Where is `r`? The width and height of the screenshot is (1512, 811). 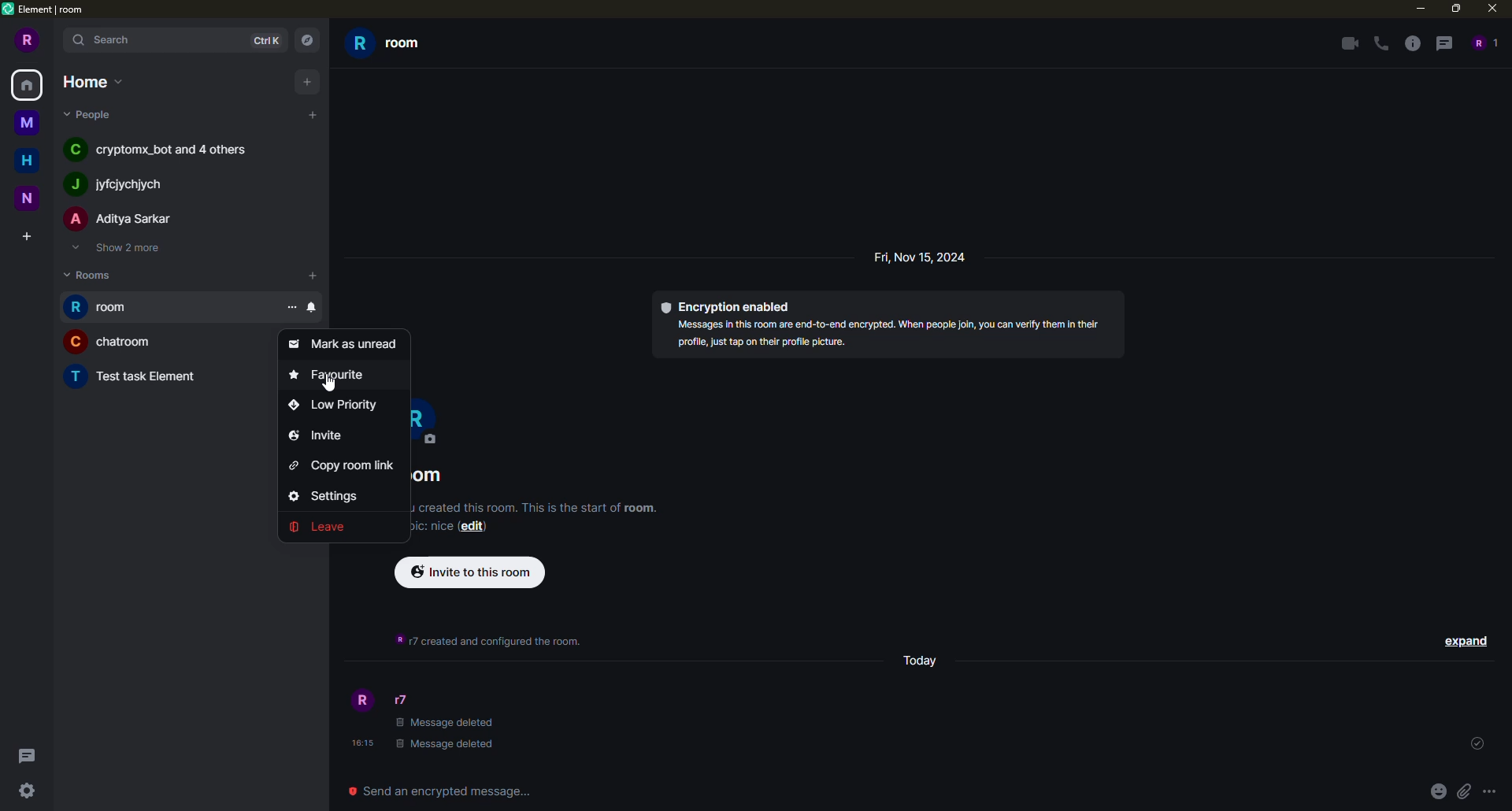 r is located at coordinates (25, 42).